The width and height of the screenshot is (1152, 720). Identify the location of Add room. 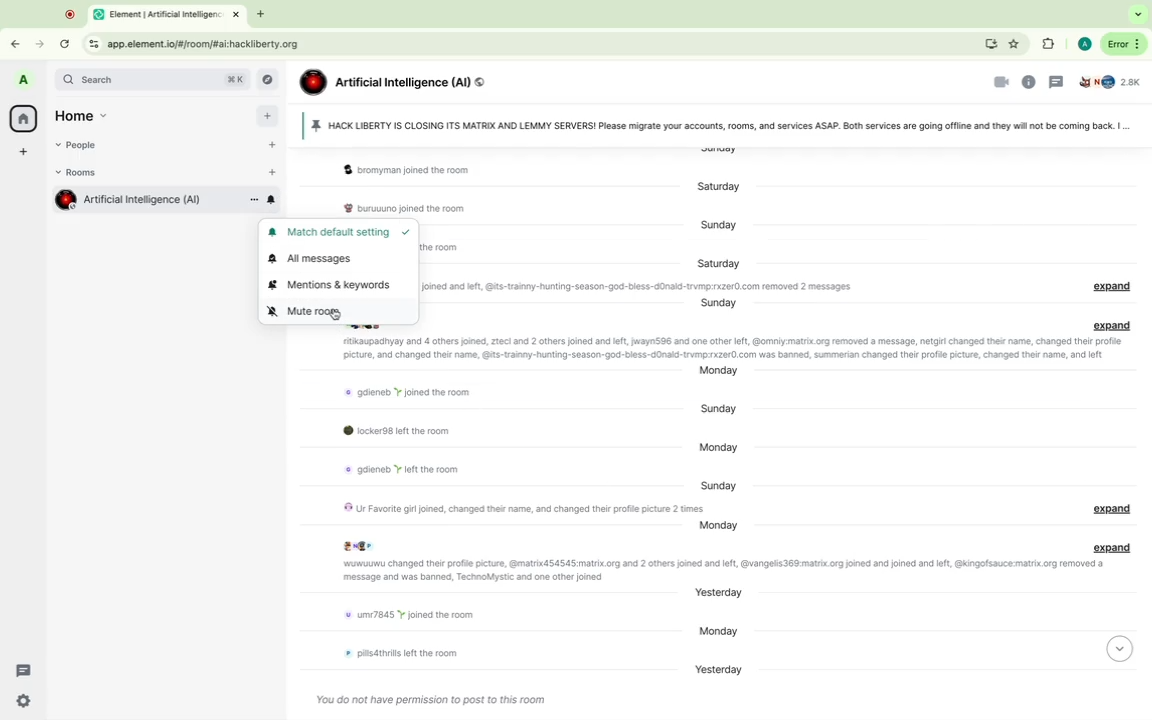
(275, 173).